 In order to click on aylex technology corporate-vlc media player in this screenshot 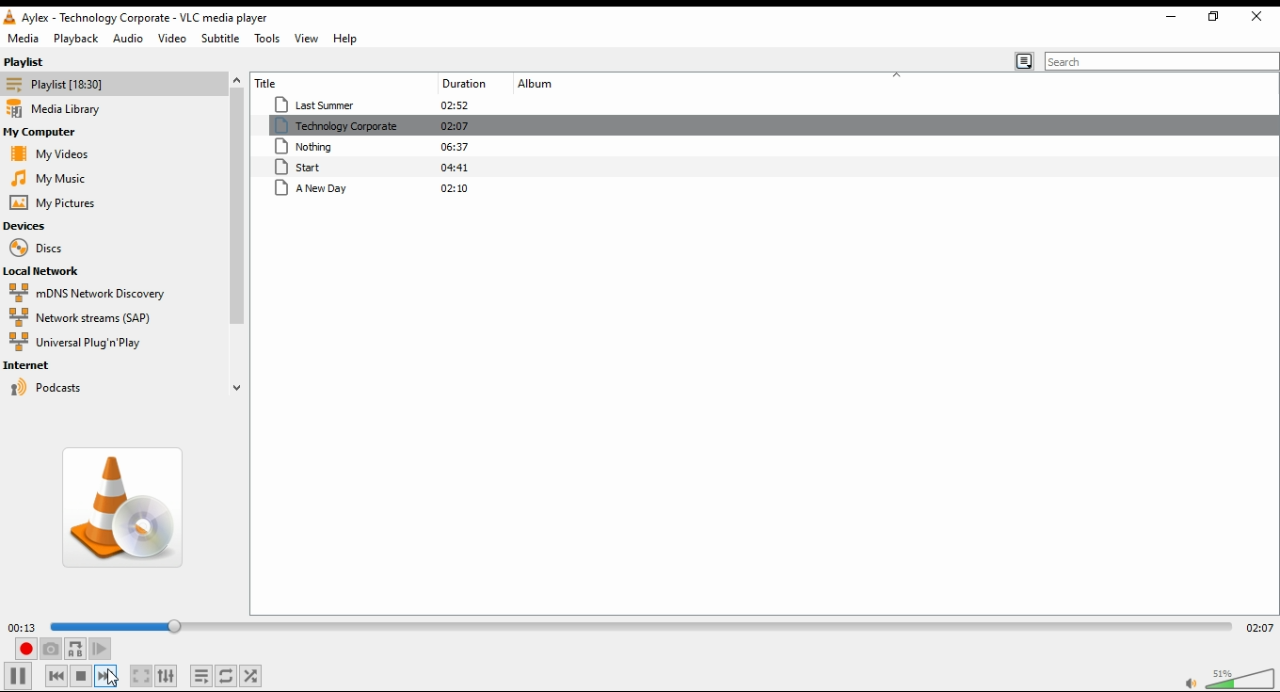, I will do `click(158, 20)`.